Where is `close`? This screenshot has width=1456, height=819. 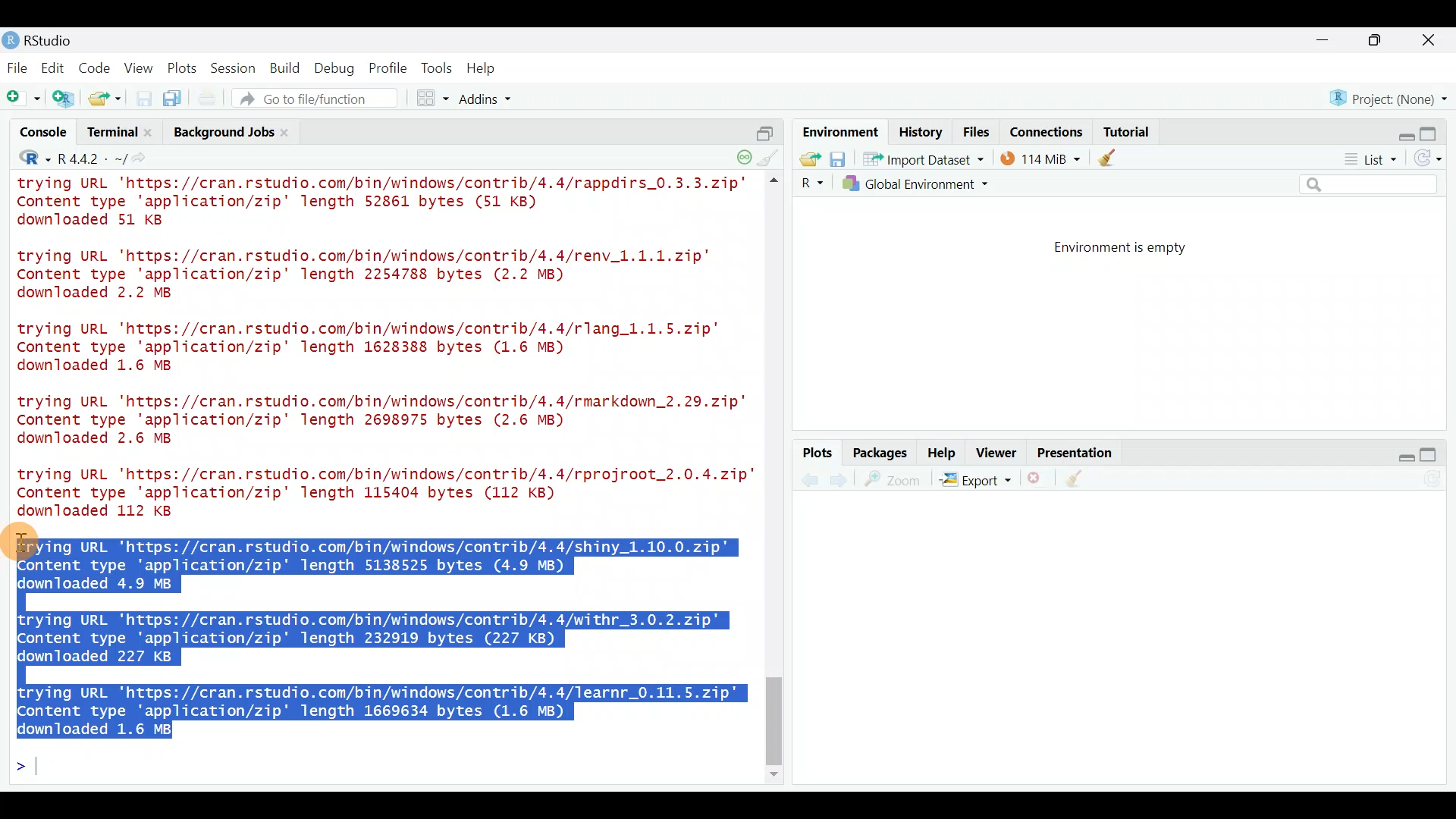 close is located at coordinates (1429, 42).